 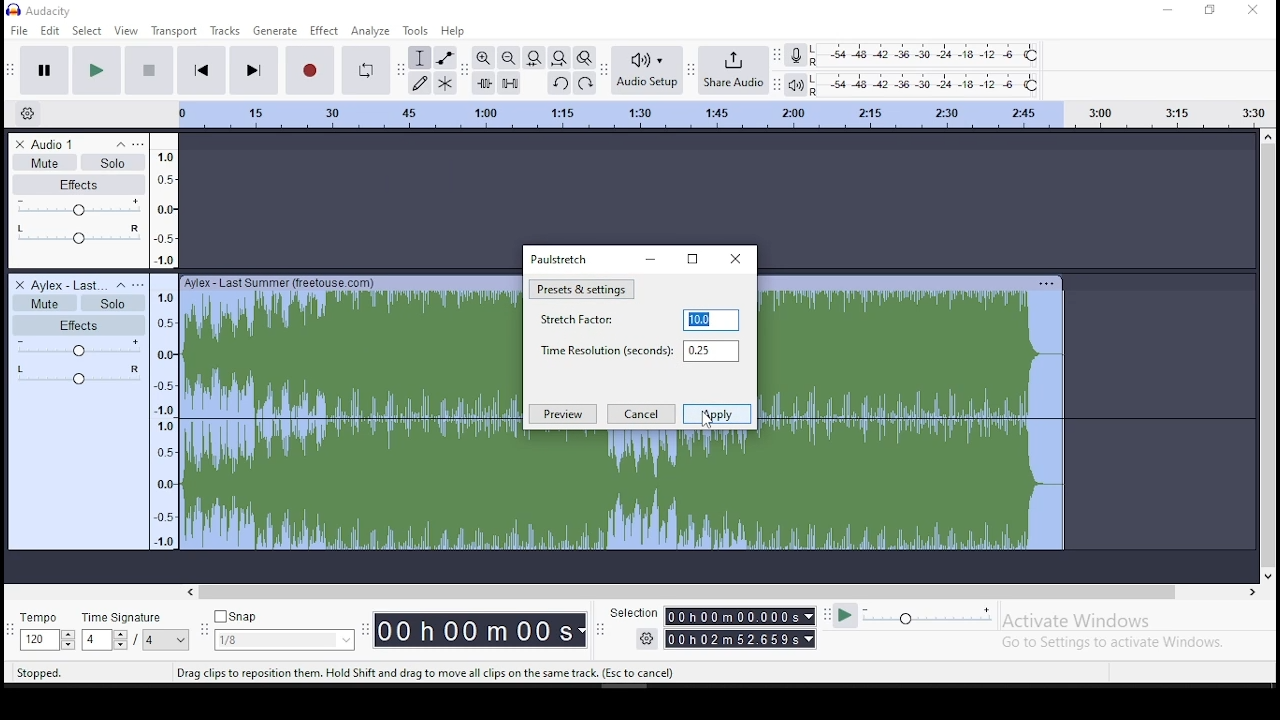 I want to click on time signature, so click(x=137, y=632).